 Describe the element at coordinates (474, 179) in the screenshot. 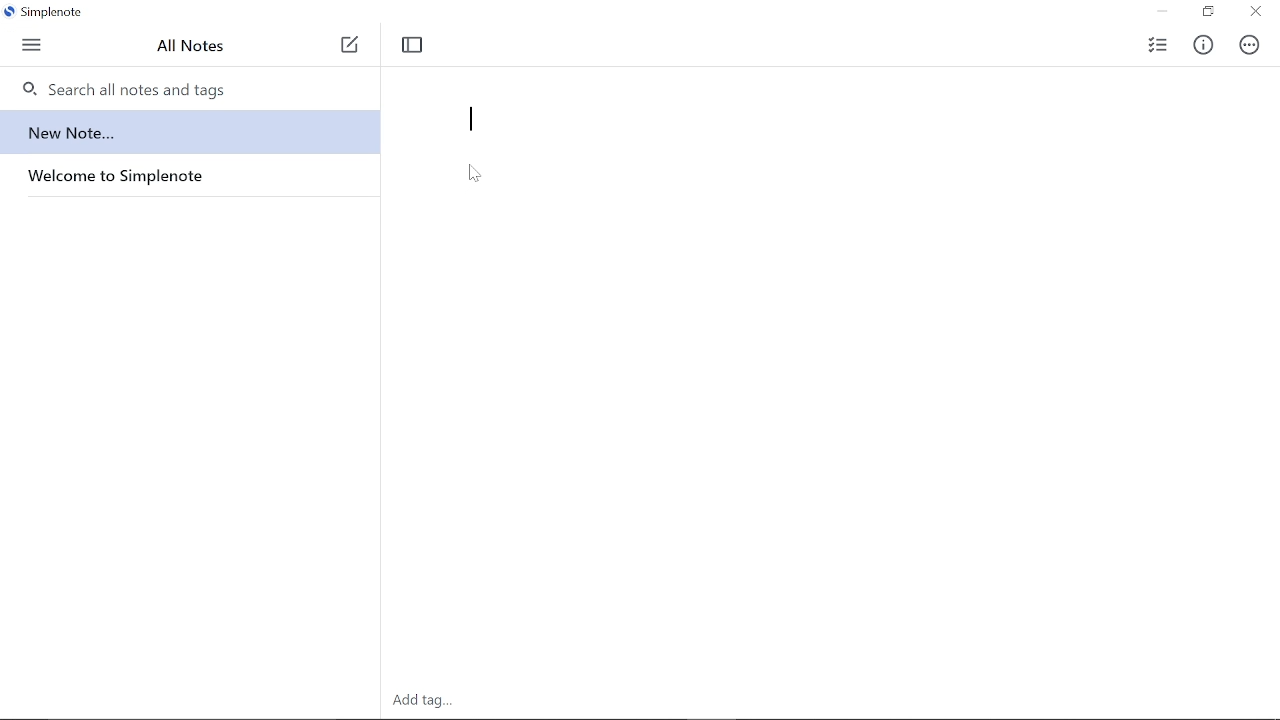

I see `Cursor` at that location.